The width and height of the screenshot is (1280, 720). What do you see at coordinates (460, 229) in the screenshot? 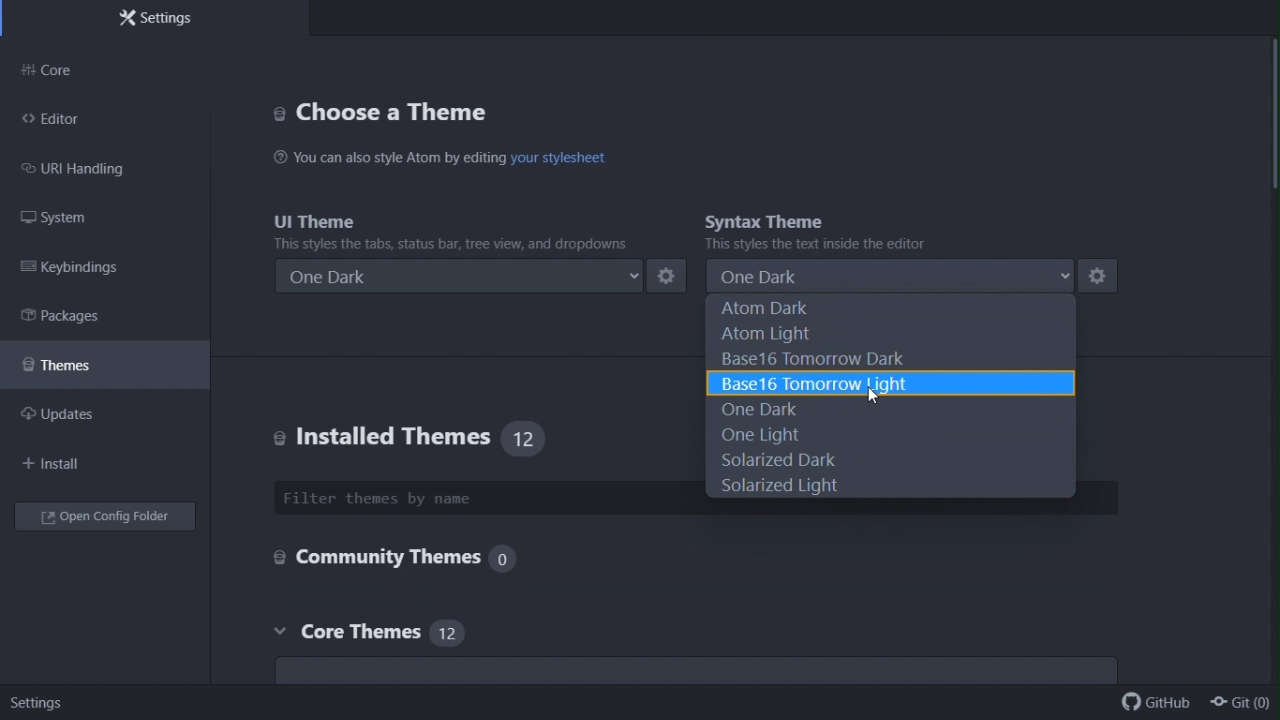
I see `UI theme` at bounding box center [460, 229].